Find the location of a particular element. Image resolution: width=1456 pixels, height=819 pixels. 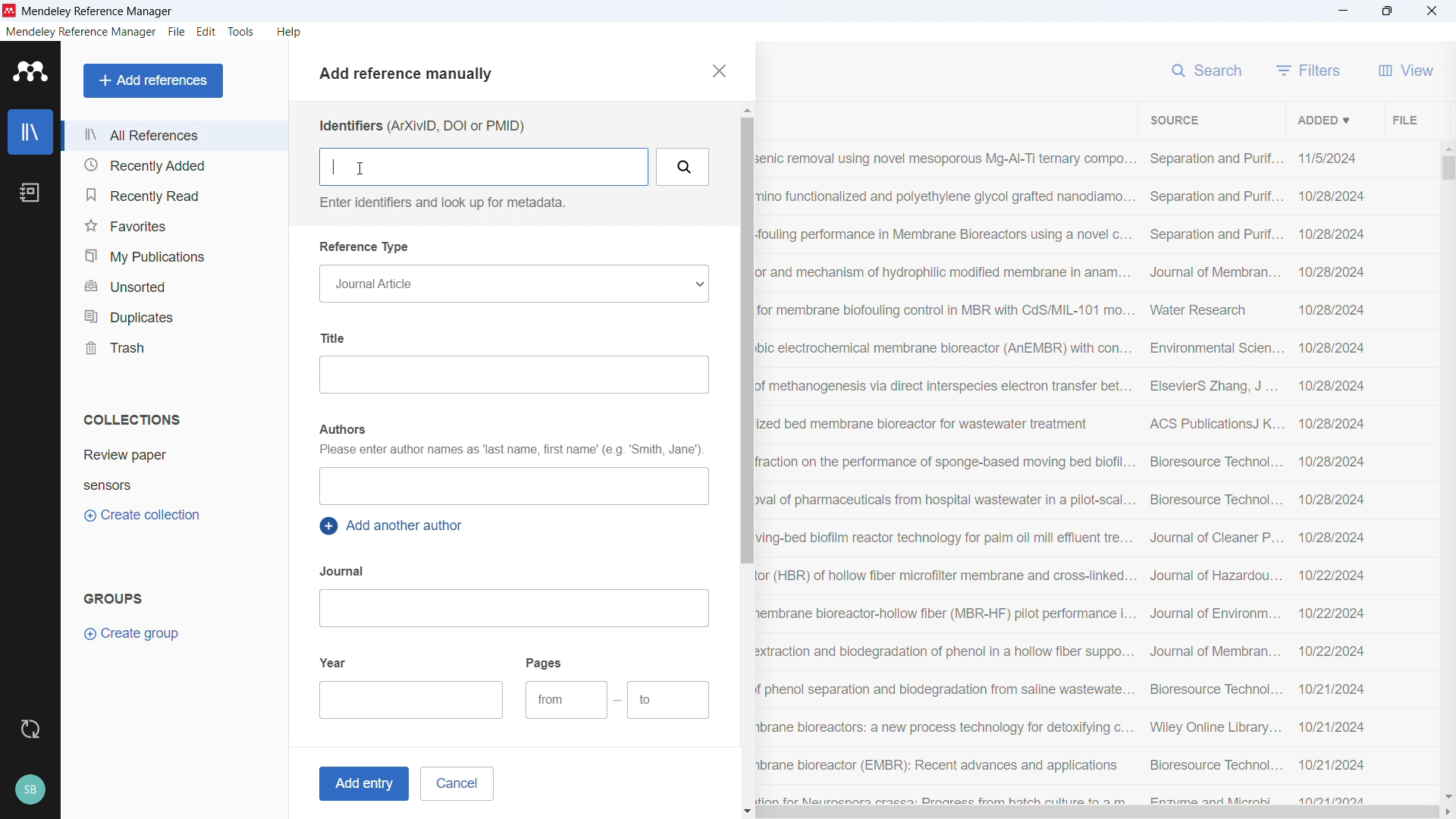

authors is located at coordinates (341, 429).